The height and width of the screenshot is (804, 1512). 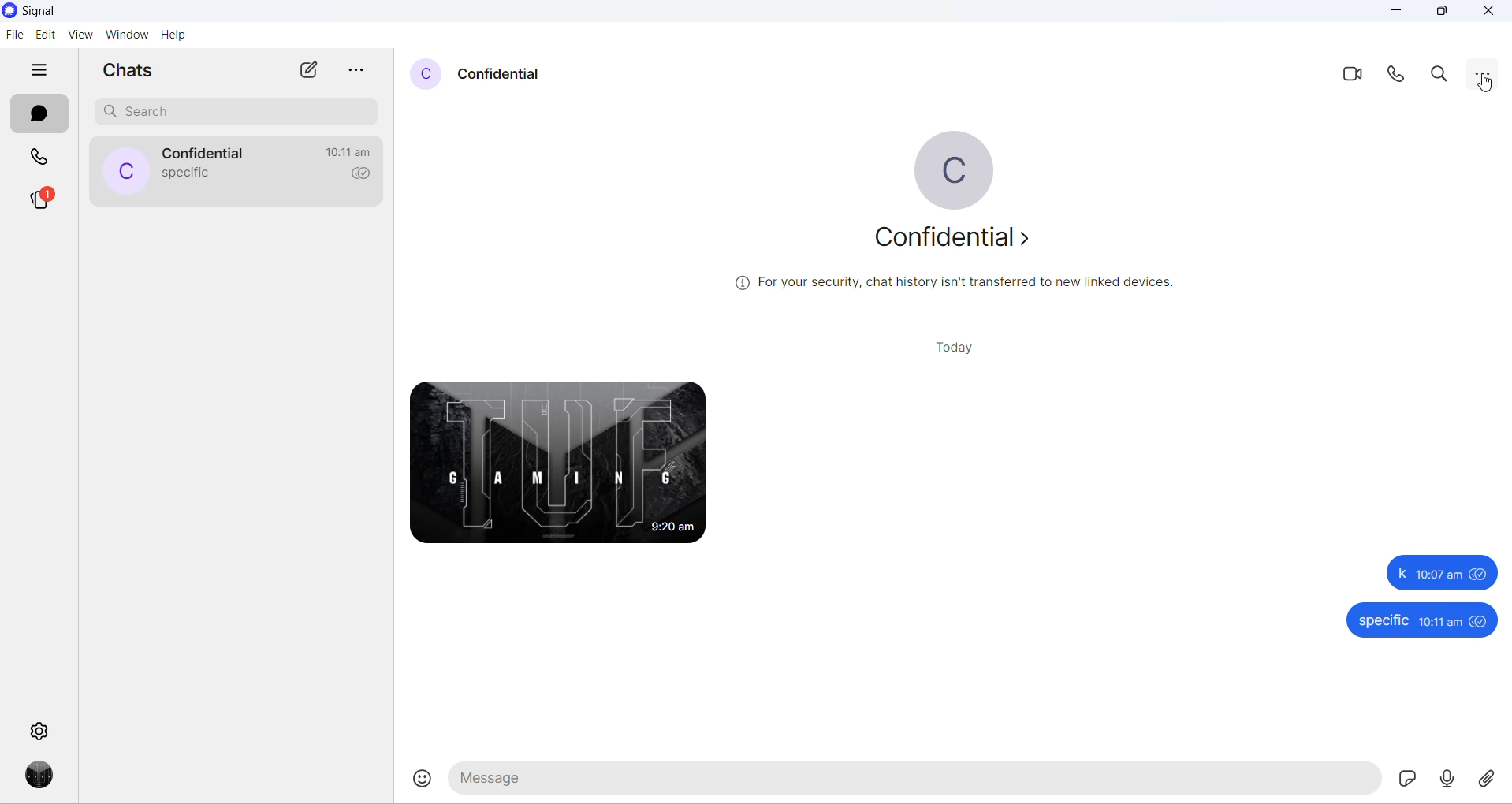 What do you see at coordinates (1440, 621) in the screenshot?
I see `10:11 am` at bounding box center [1440, 621].